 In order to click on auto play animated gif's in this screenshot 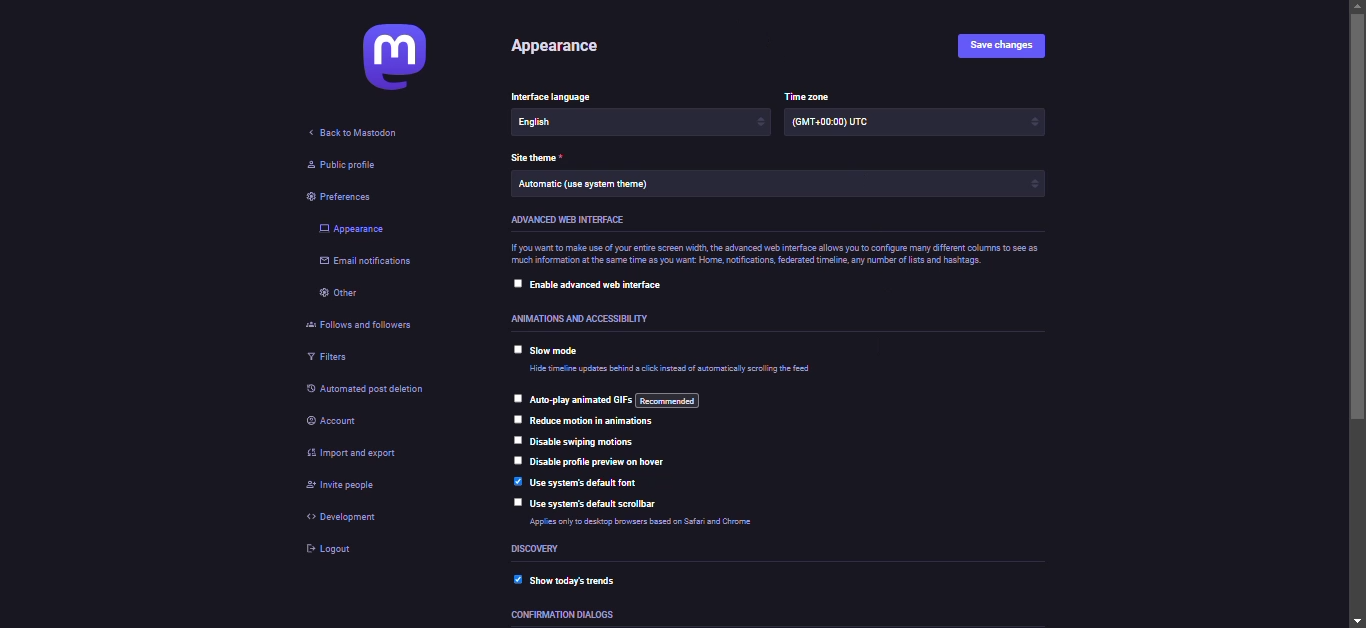, I will do `click(614, 399)`.